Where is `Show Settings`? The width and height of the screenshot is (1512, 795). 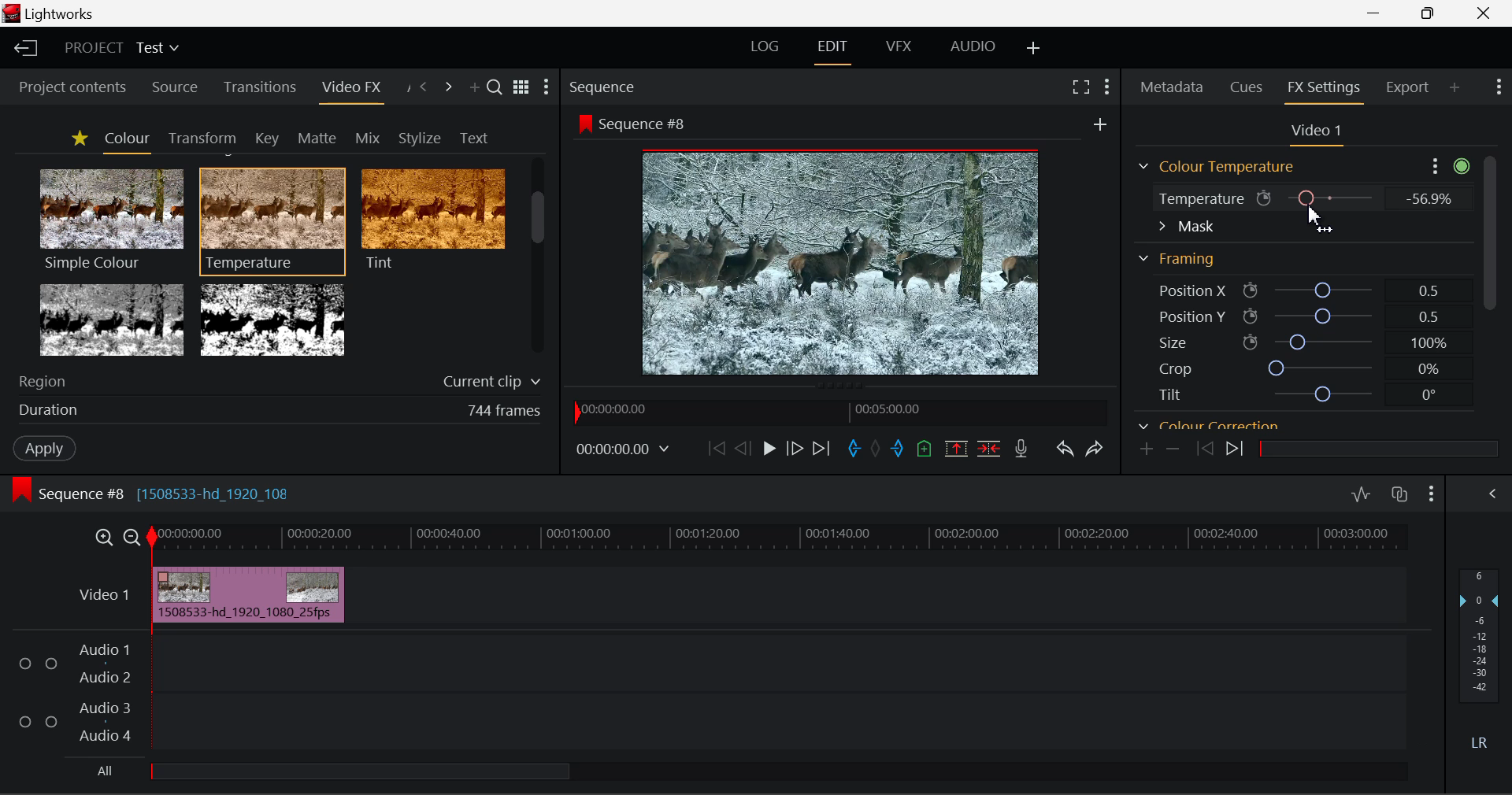 Show Settings is located at coordinates (1499, 90).